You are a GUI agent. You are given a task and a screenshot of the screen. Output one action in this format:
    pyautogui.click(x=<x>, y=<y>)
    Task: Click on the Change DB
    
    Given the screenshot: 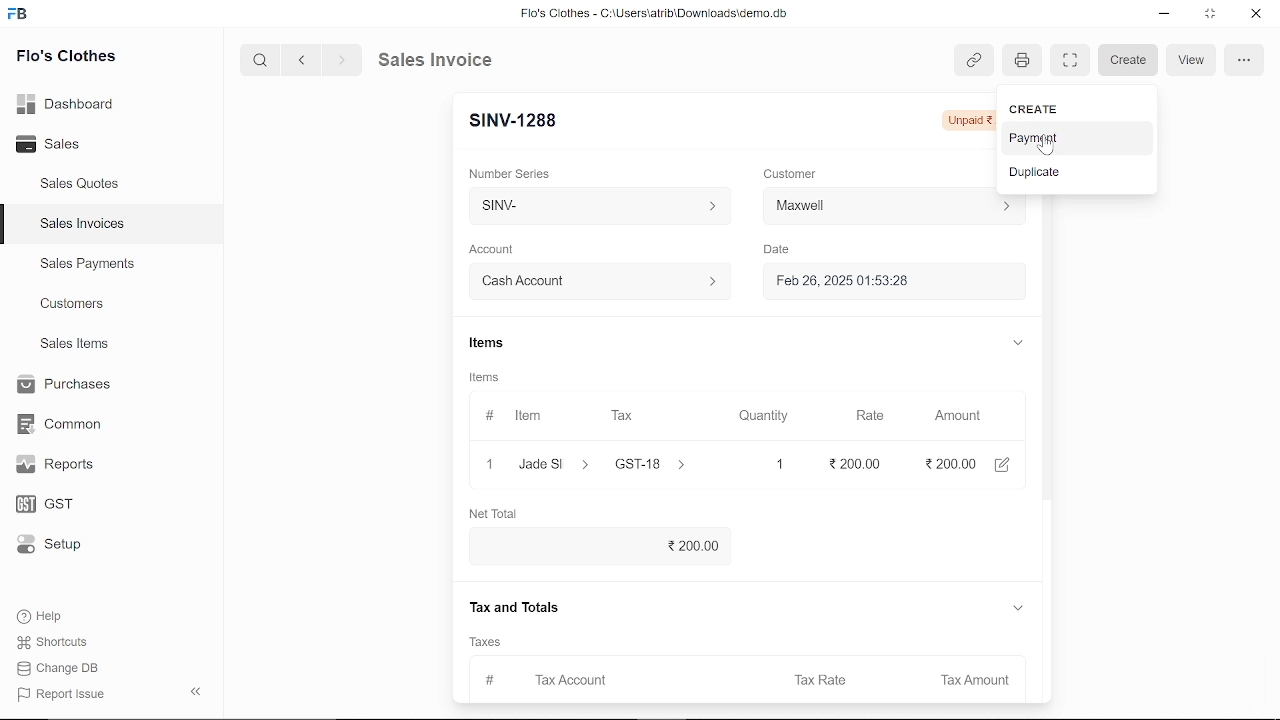 What is the action you would take?
    pyautogui.click(x=64, y=668)
    